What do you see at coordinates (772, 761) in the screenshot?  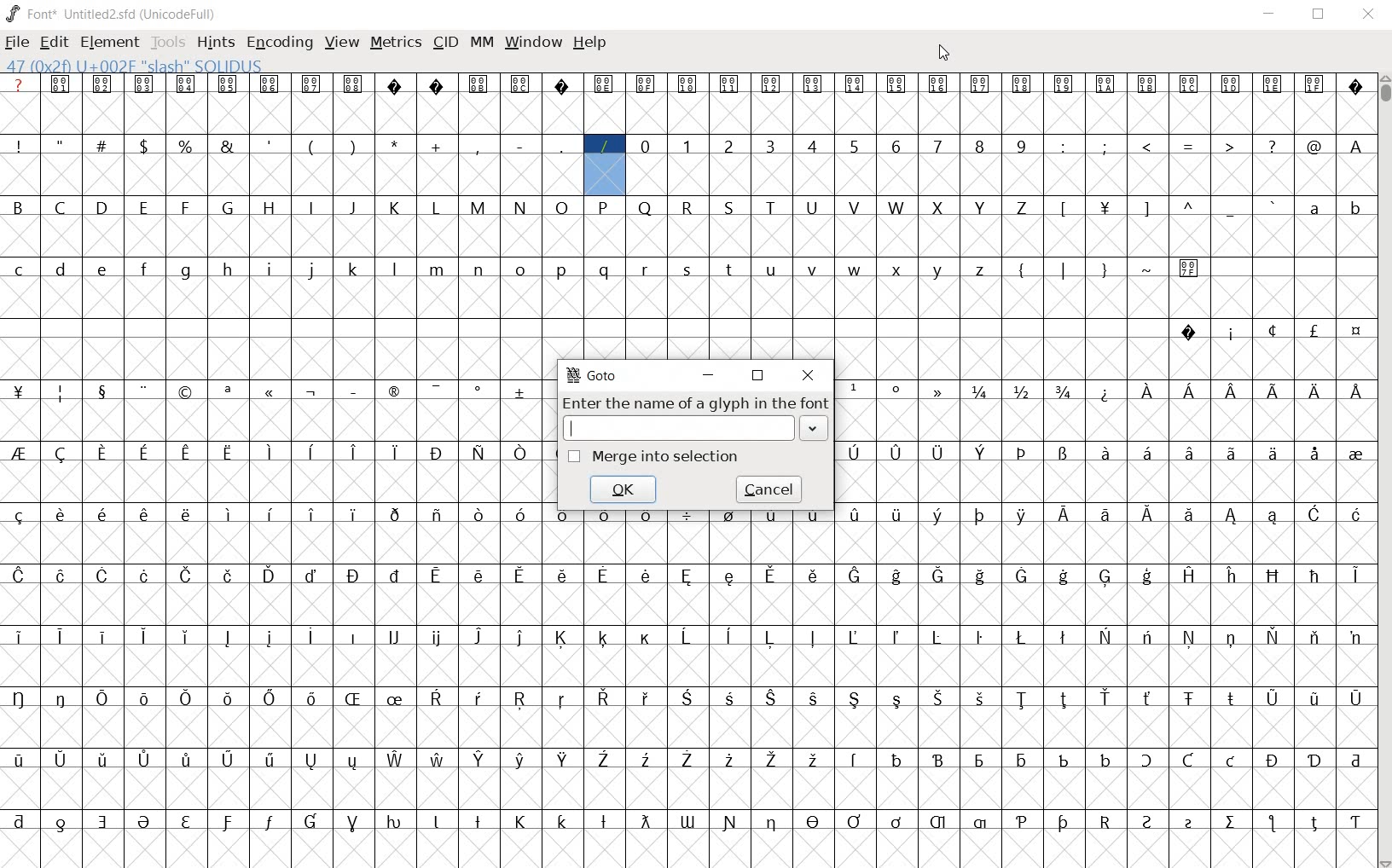 I see `glyph` at bounding box center [772, 761].